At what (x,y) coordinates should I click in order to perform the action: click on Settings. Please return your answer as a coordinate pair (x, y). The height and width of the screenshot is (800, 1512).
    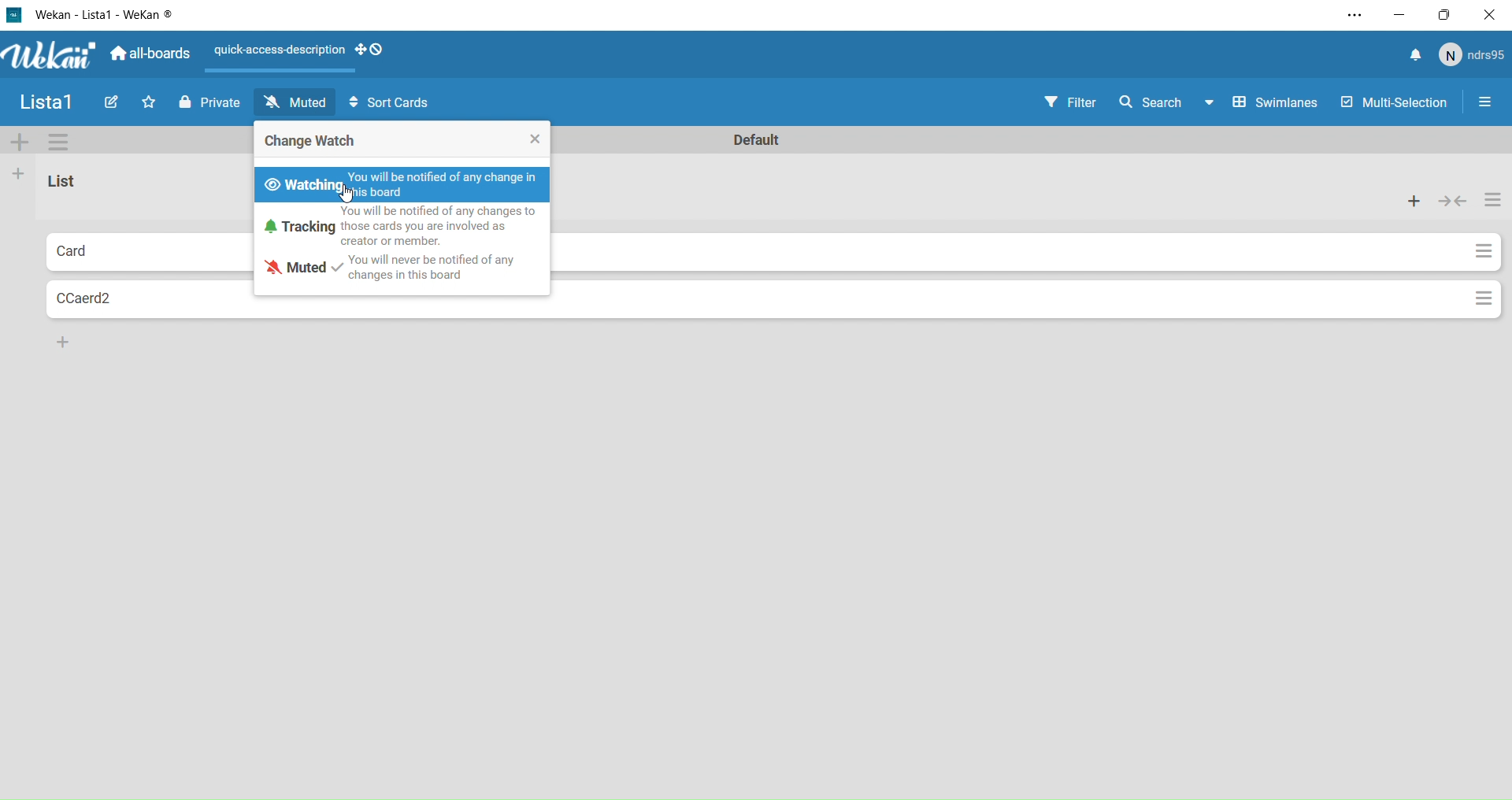
    Looking at the image, I should click on (1354, 13).